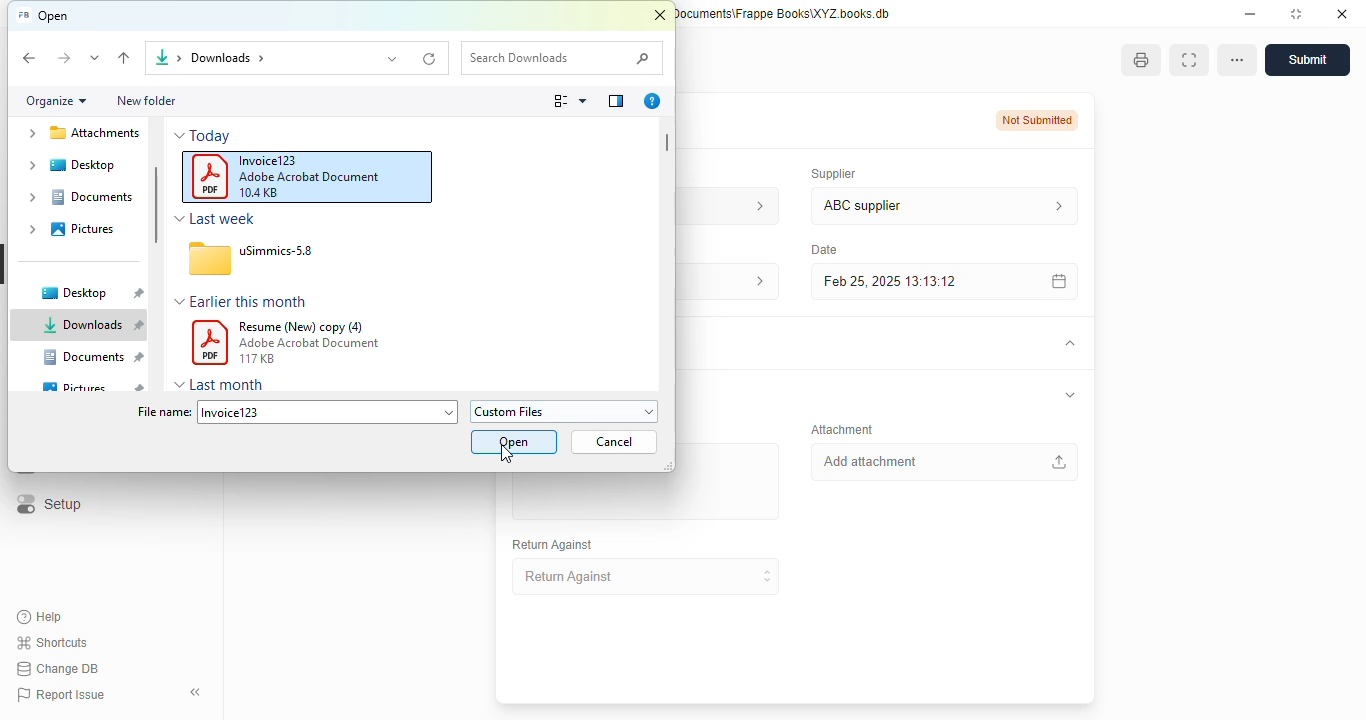 This screenshot has width=1366, height=720. Describe the element at coordinates (309, 177) in the screenshot. I see `adobe acrobat document` at that location.